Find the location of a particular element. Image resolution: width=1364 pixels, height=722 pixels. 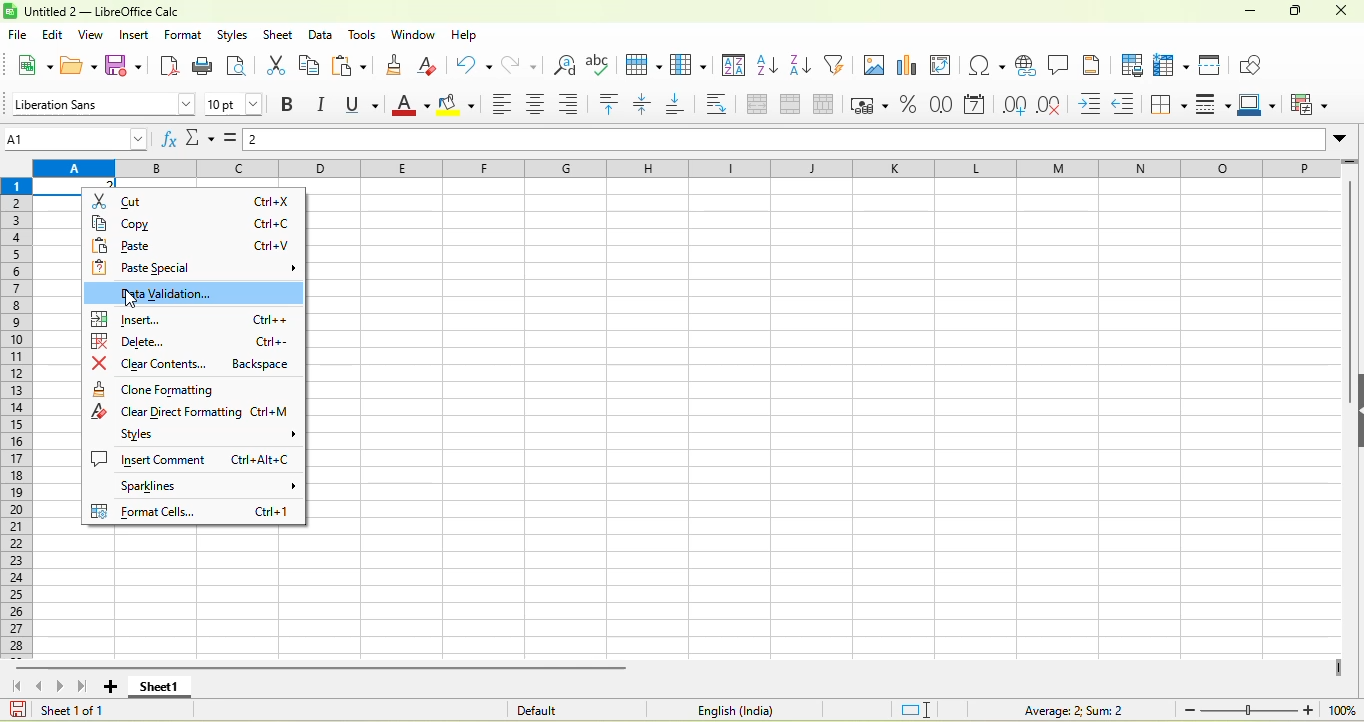

center vertically is located at coordinates (648, 106).